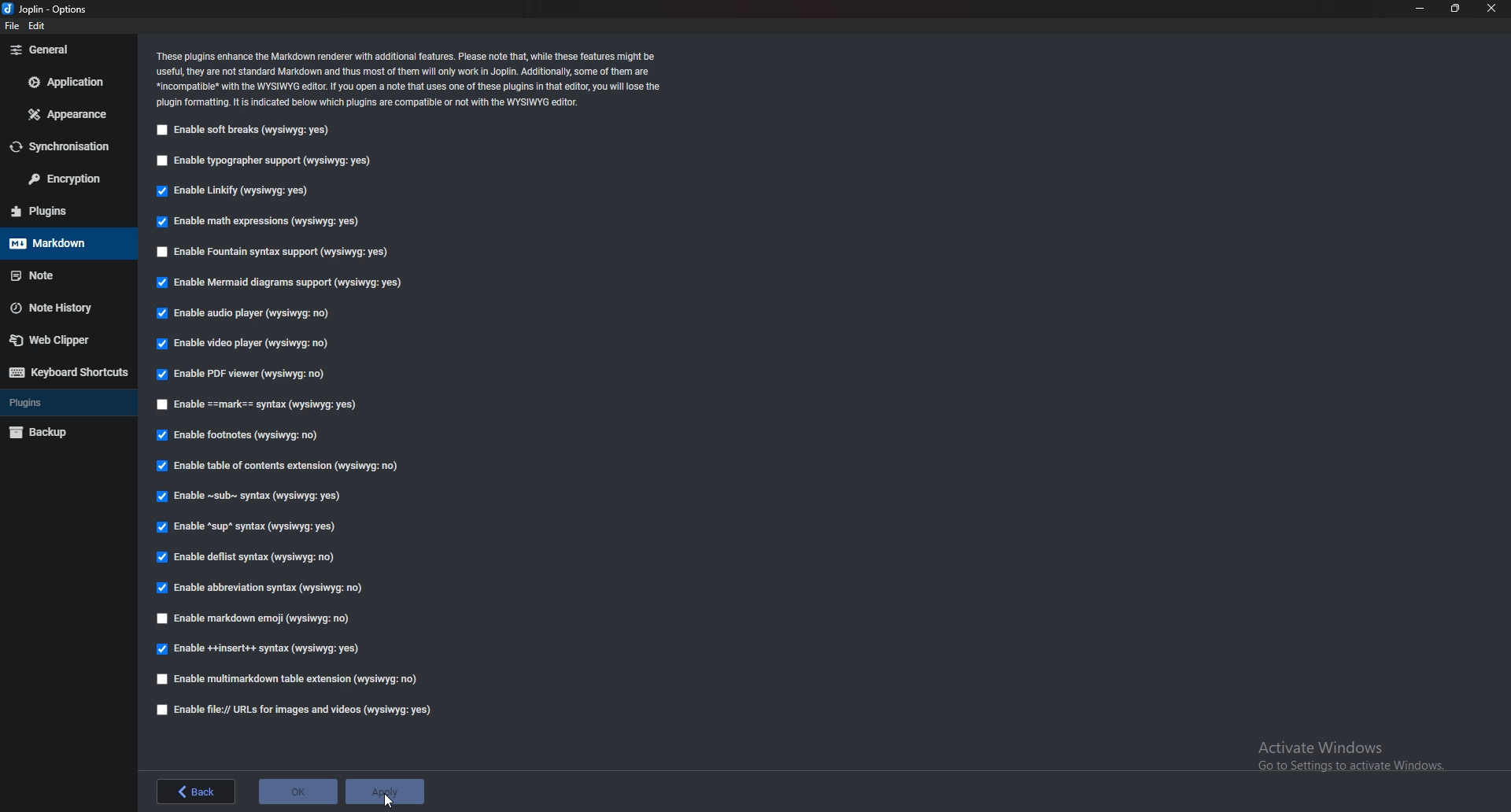 The height and width of the screenshot is (812, 1511). I want to click on cursor, so click(389, 798).